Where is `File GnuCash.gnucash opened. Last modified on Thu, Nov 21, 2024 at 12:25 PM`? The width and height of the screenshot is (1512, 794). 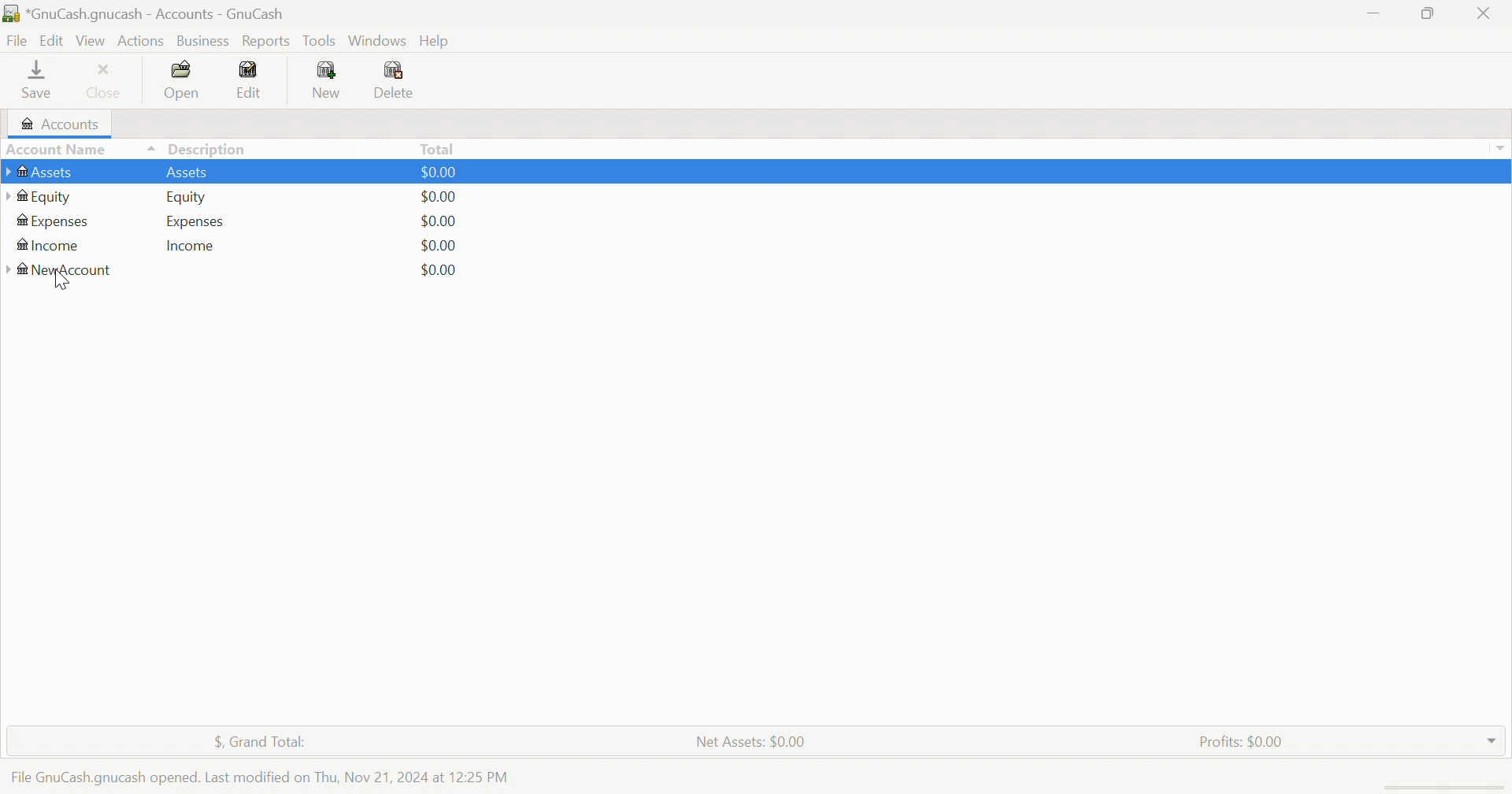 File GnuCash.gnucash opened. Last modified on Thu, Nov 21, 2024 at 12:25 PM is located at coordinates (258, 777).